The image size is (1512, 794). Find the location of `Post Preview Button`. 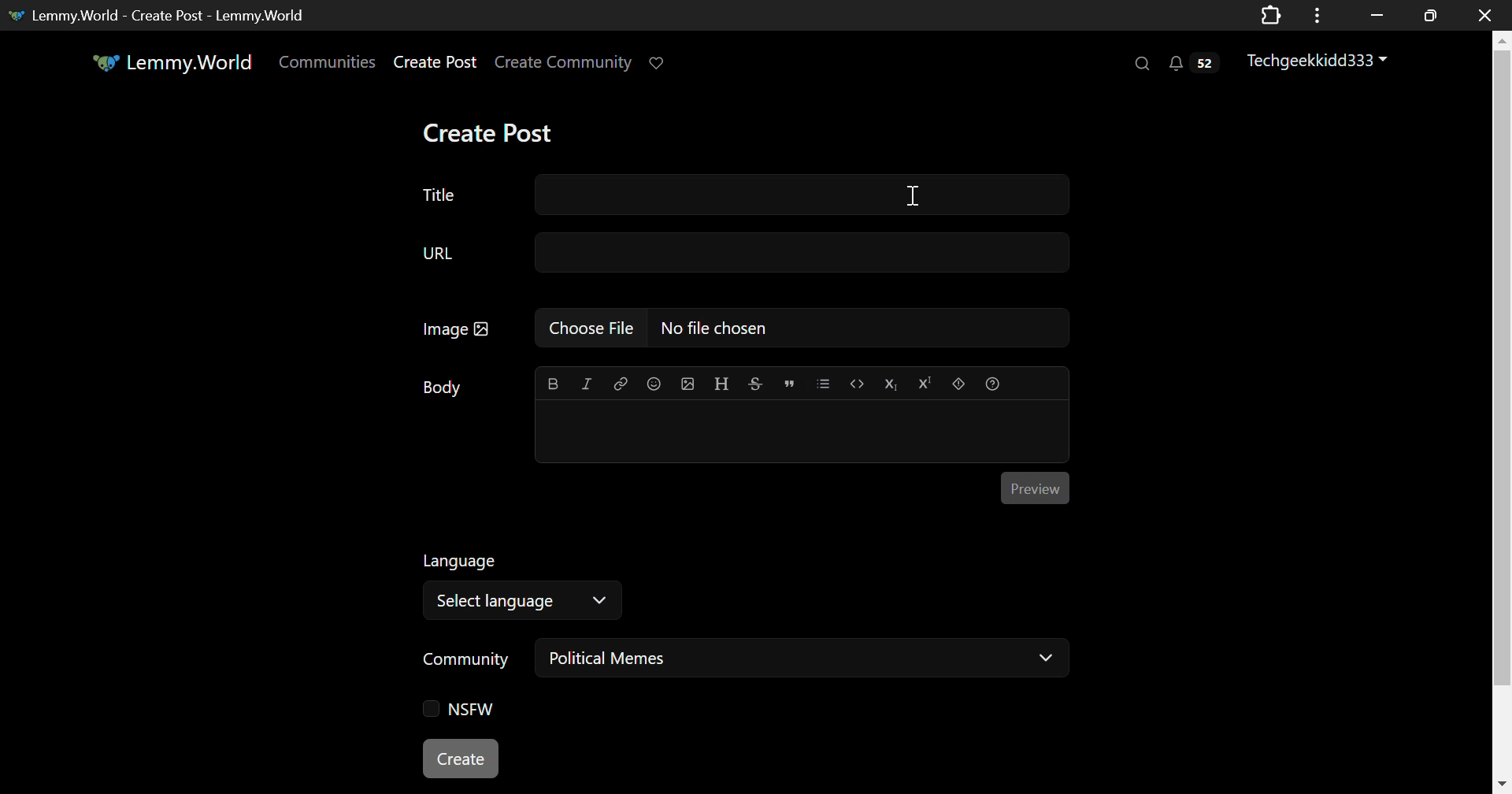

Post Preview Button is located at coordinates (1036, 488).